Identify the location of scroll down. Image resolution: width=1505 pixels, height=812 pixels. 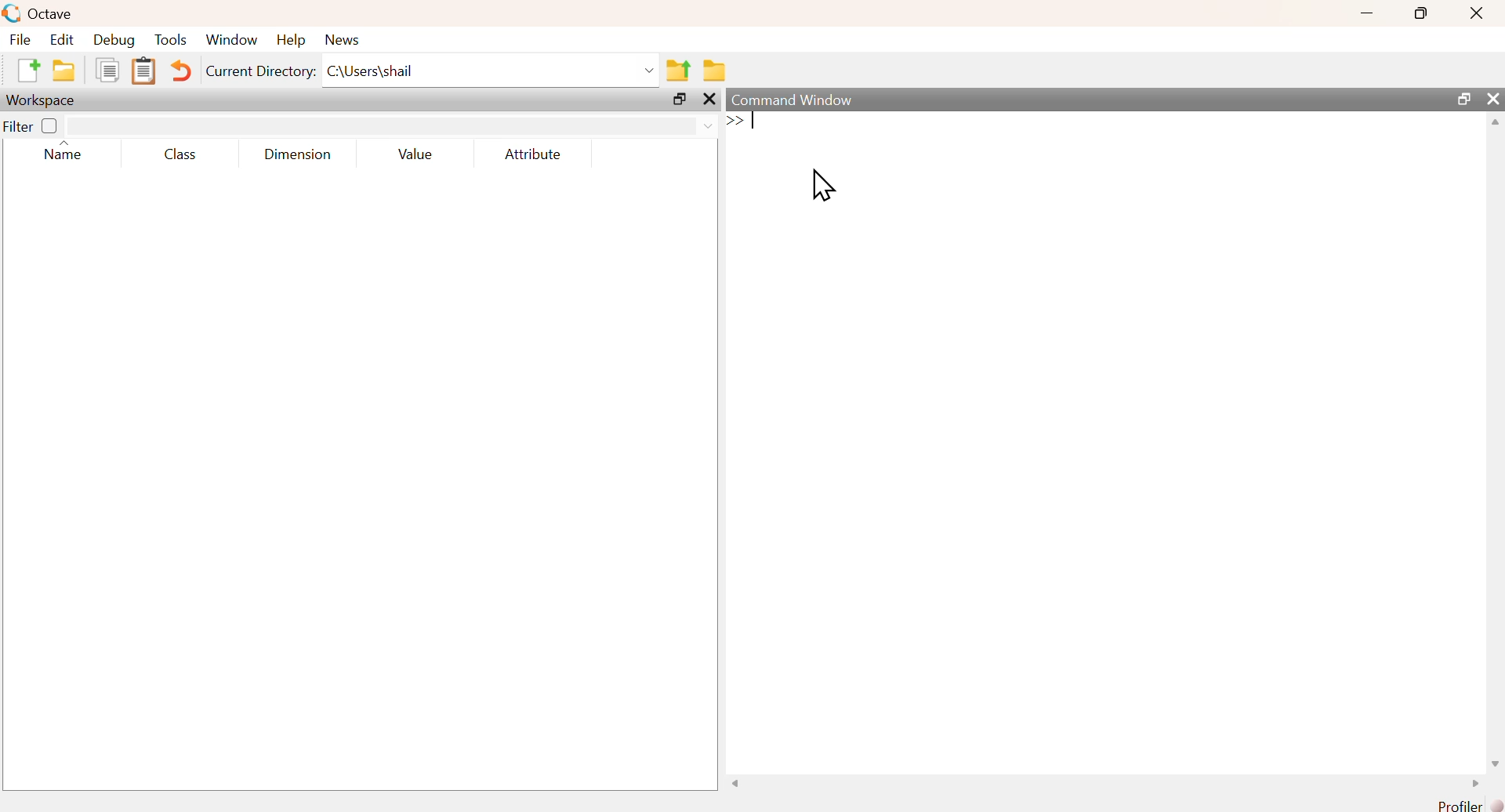
(1496, 764).